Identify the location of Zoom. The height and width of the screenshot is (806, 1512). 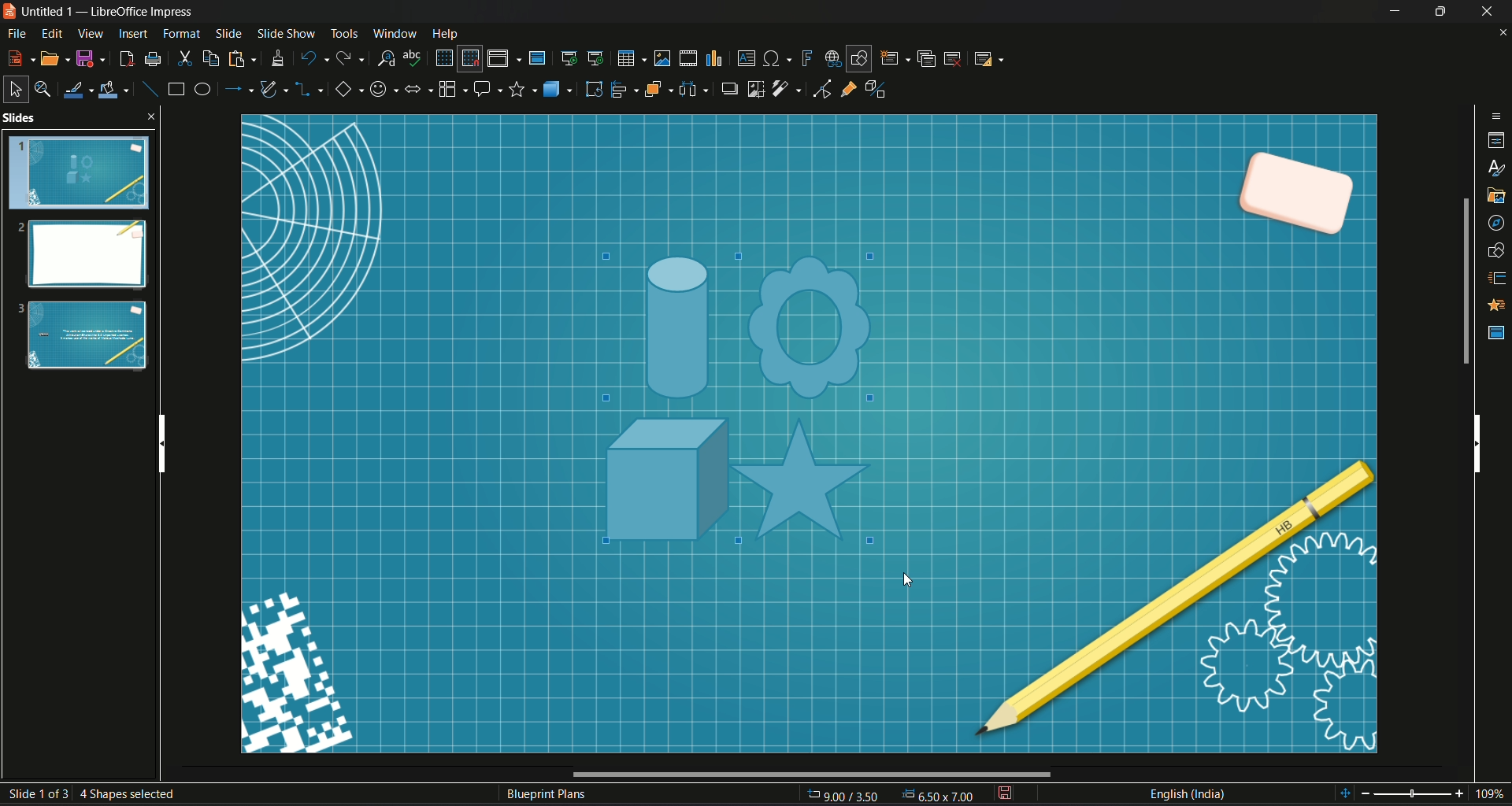
(1425, 794).